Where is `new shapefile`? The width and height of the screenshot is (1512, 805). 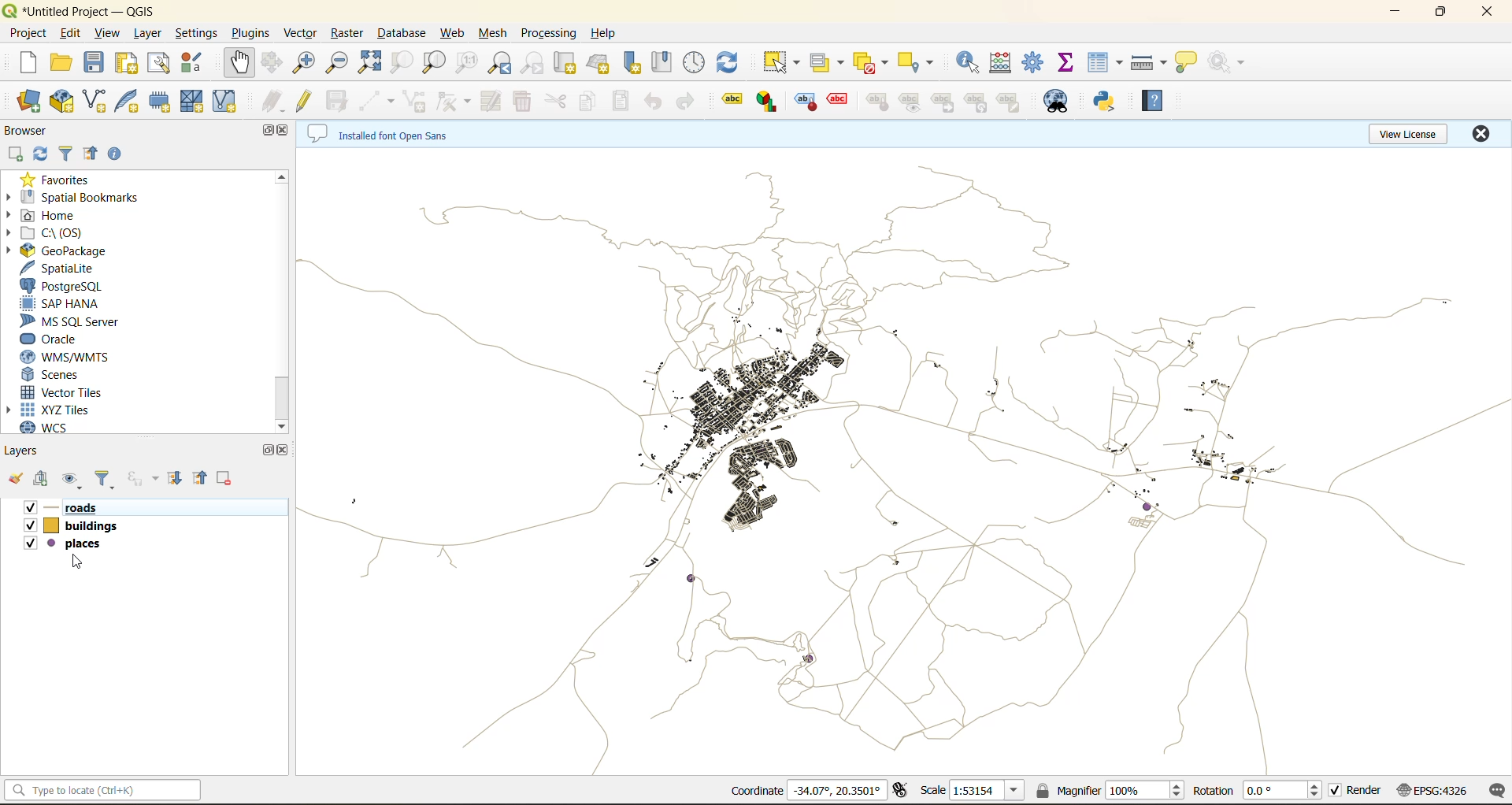 new shapefile is located at coordinates (98, 102).